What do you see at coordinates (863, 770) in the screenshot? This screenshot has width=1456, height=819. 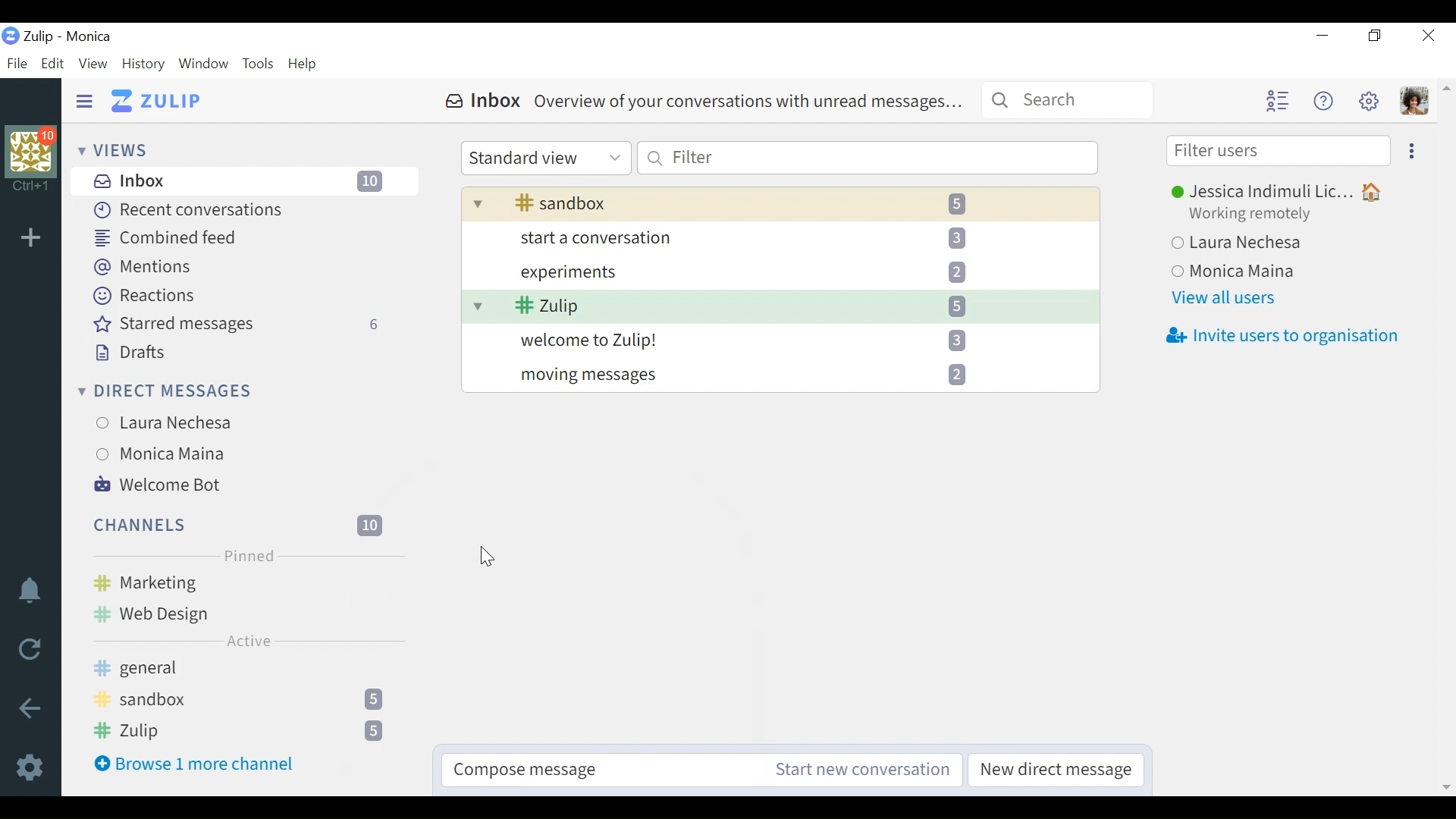 I see `Start new conversation` at bounding box center [863, 770].